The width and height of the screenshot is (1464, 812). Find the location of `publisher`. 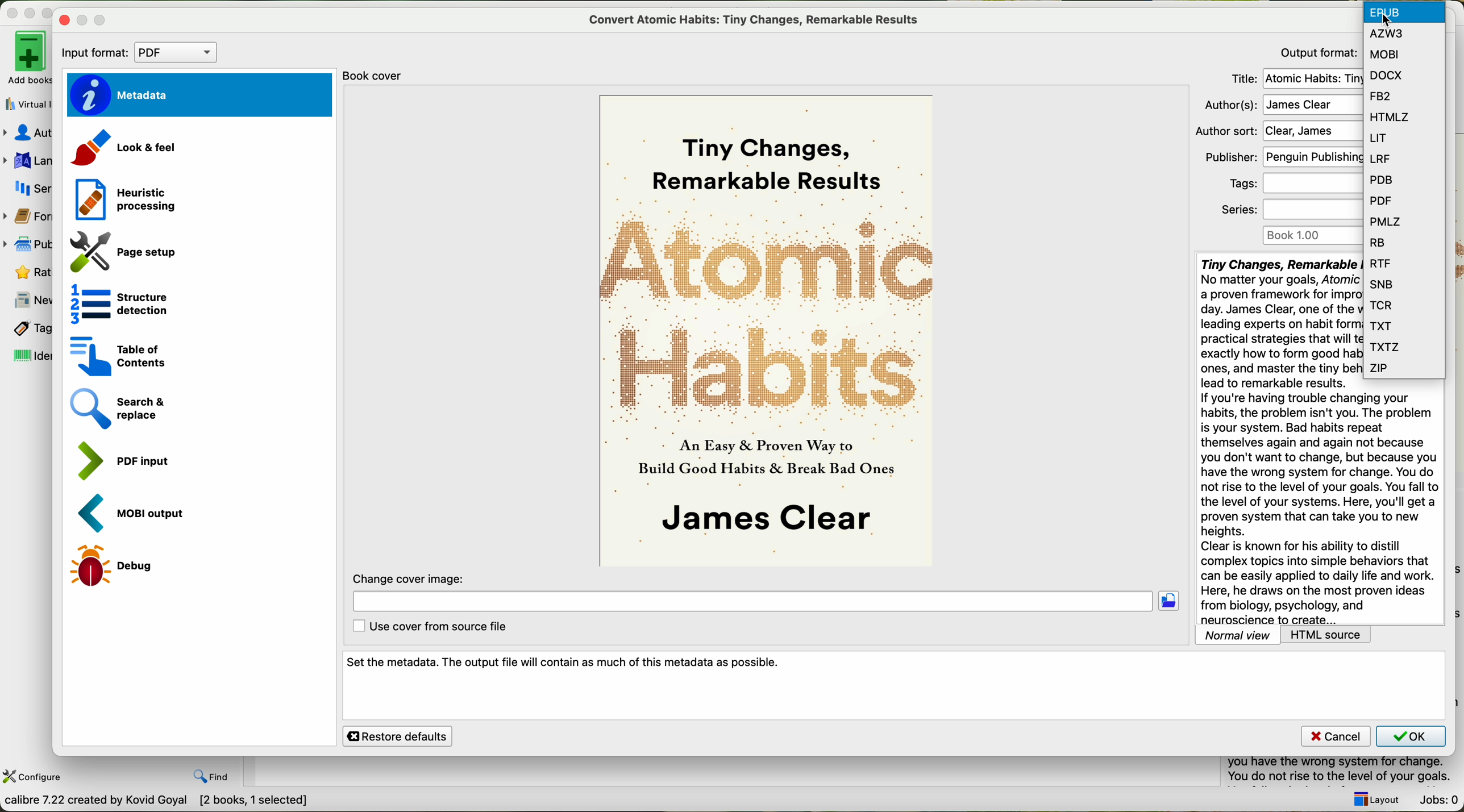

publisher is located at coordinates (28, 244).